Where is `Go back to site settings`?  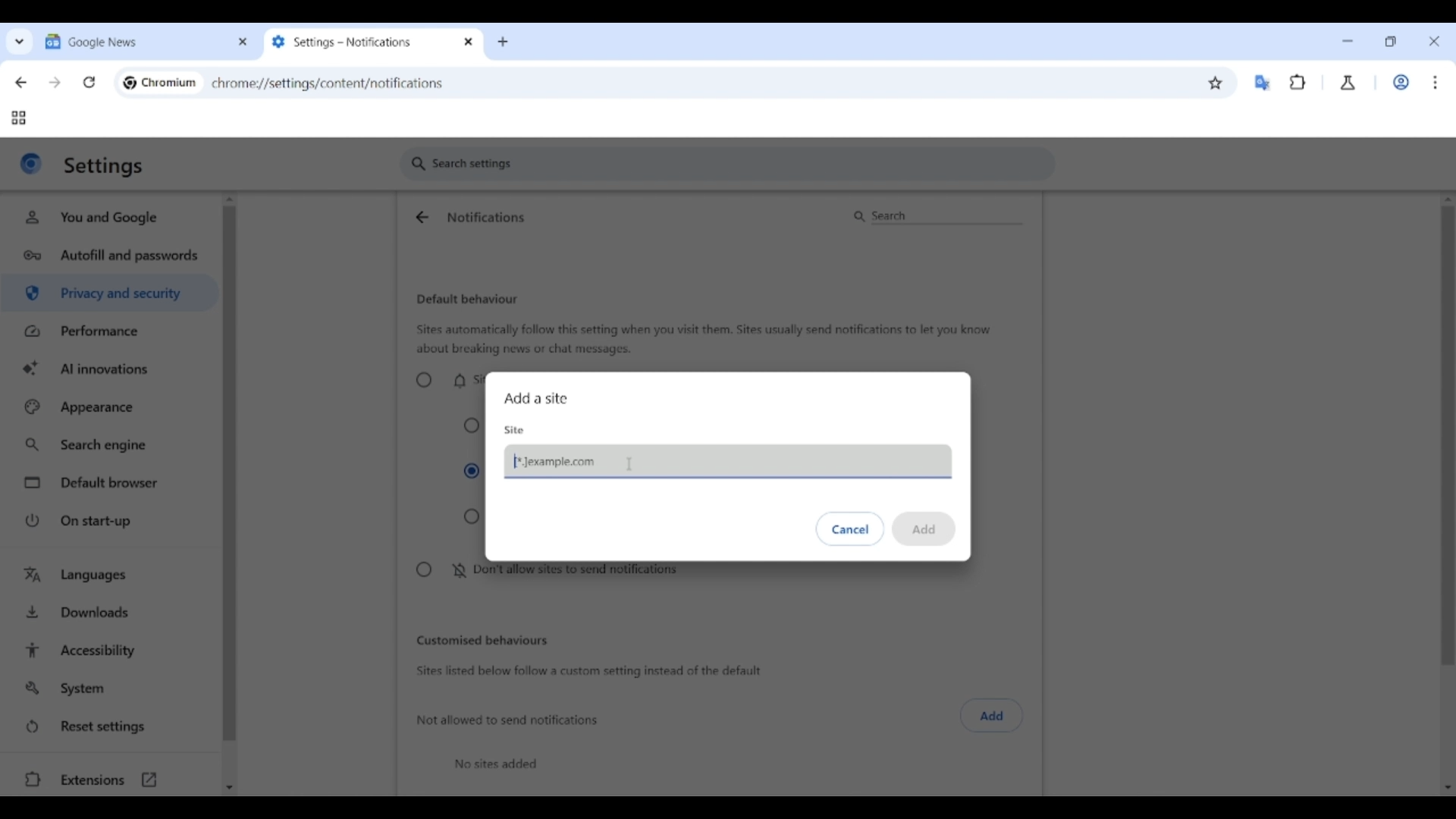 Go back to site settings is located at coordinates (421, 217).